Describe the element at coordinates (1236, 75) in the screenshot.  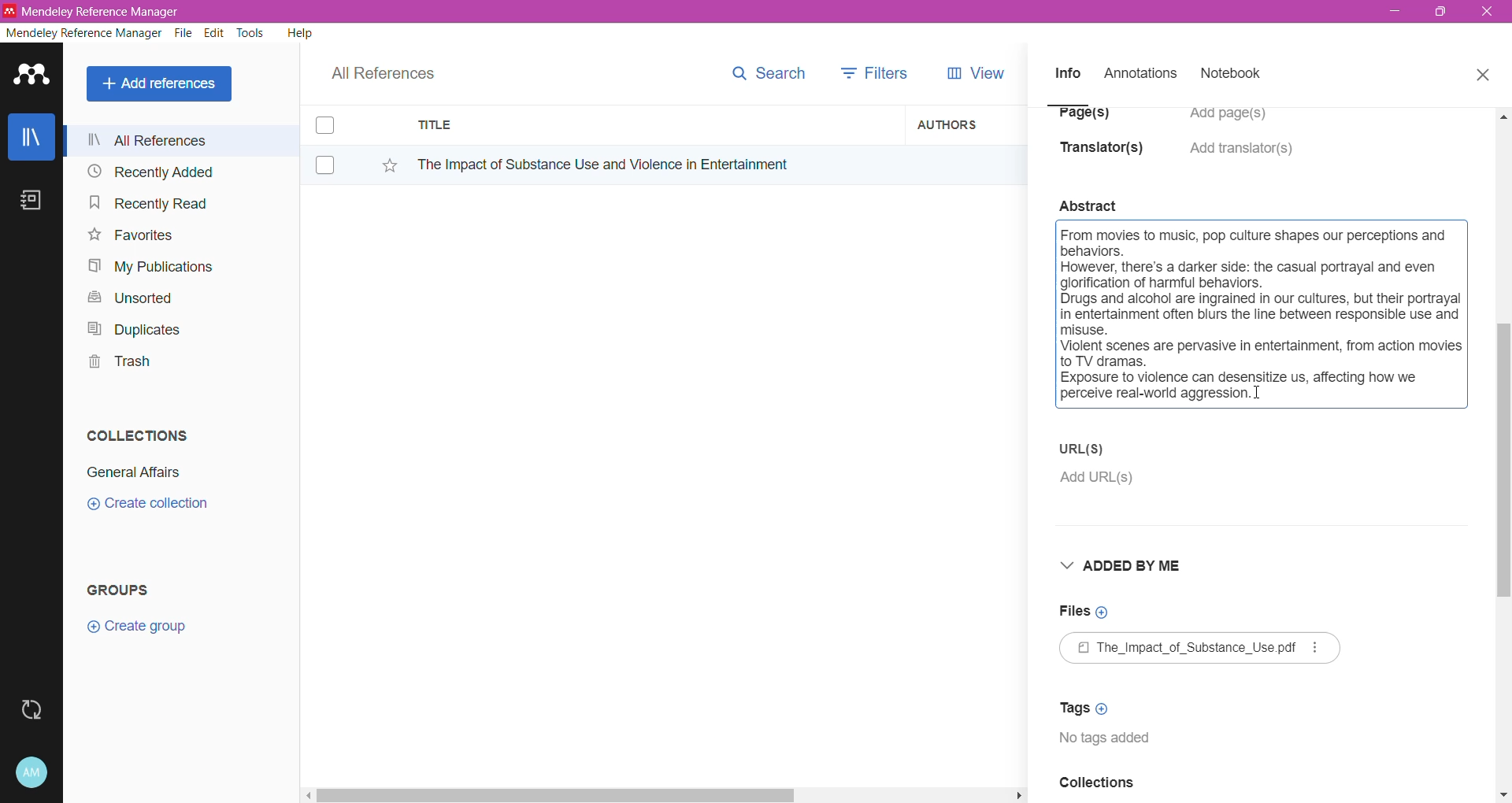
I see `Notebook` at that location.